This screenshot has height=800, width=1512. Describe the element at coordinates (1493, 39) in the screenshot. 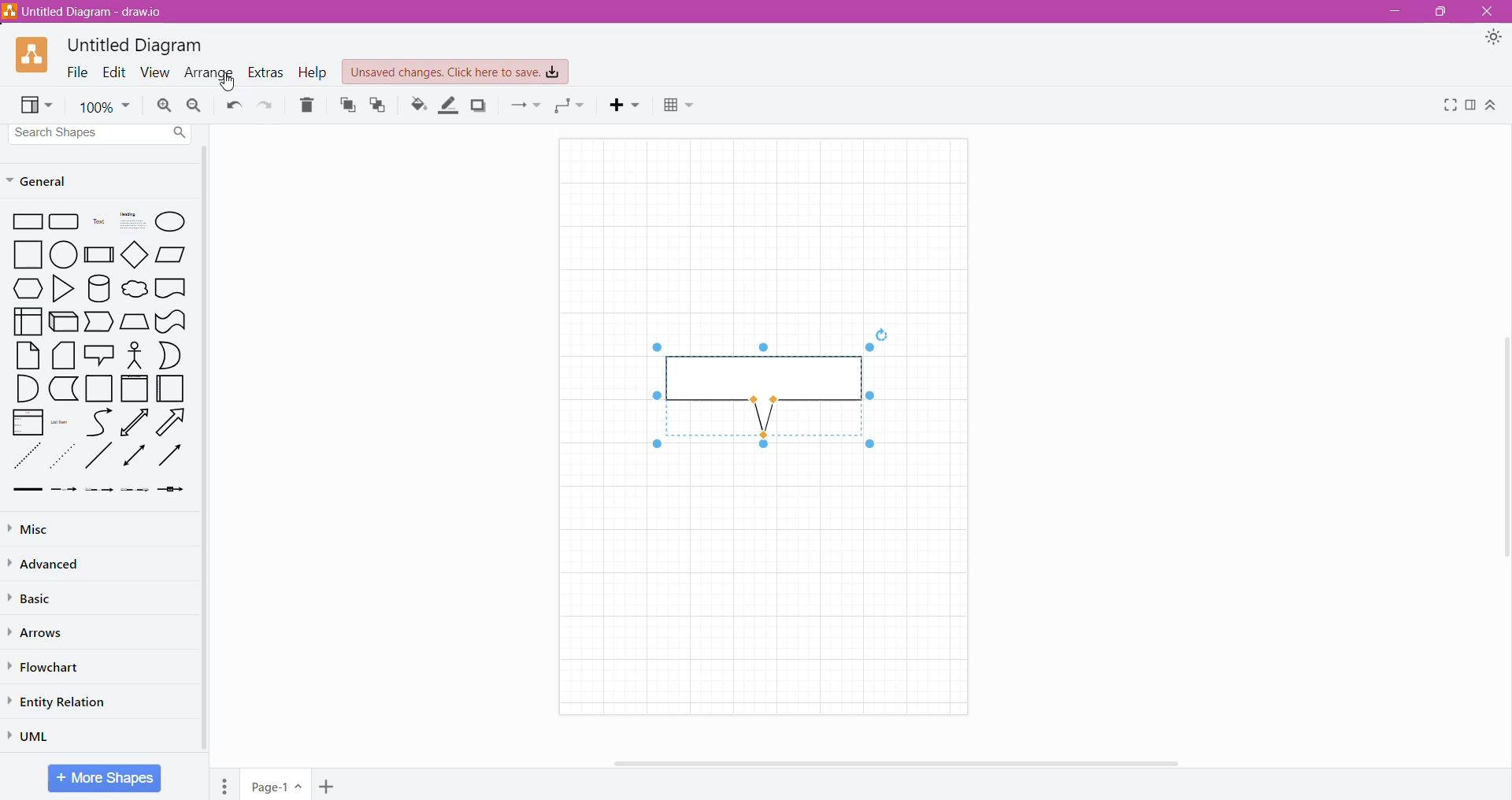

I see `Appearance` at that location.